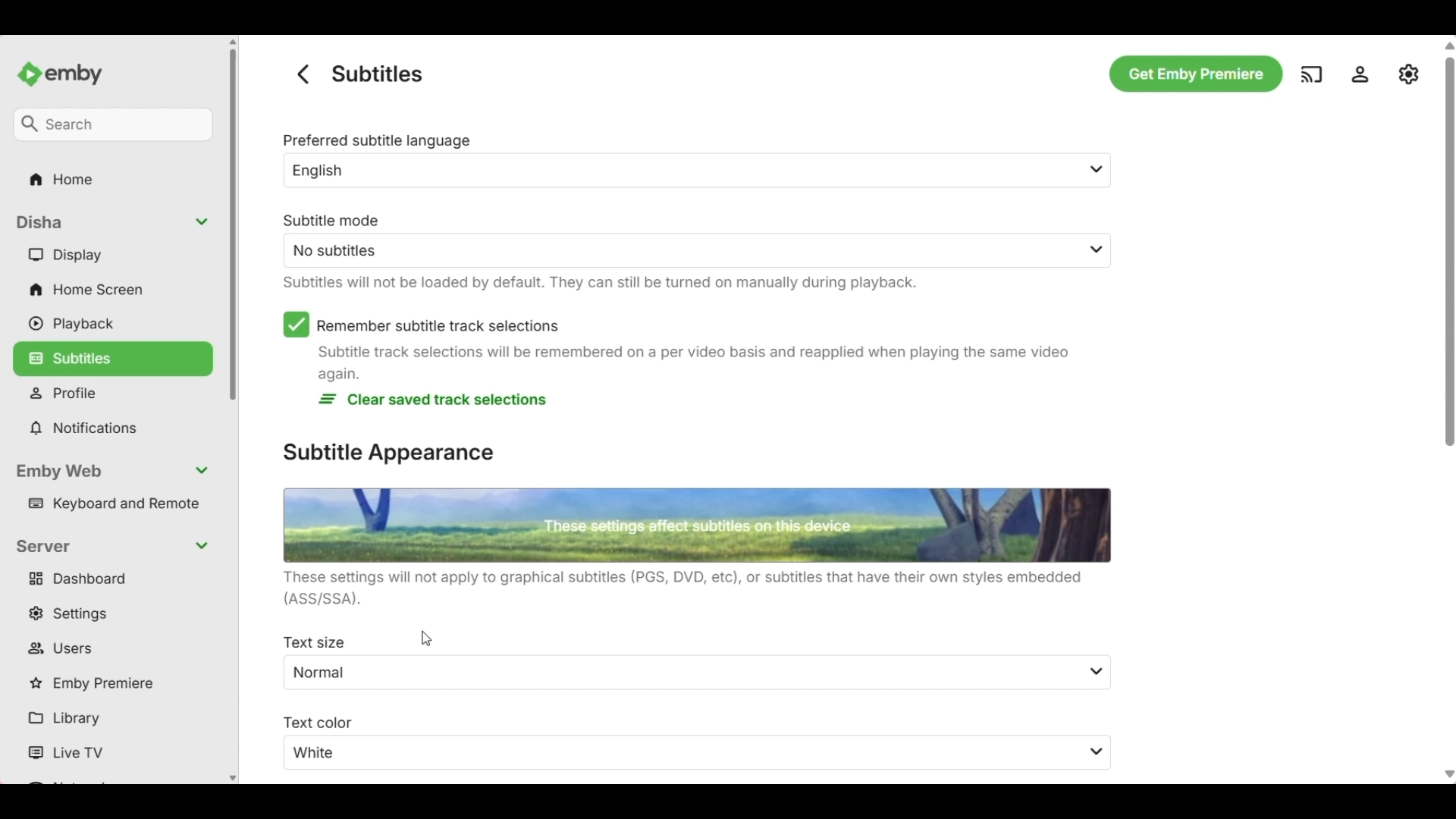  Describe the element at coordinates (678, 160) in the screenshot. I see `Set preffered language` at that location.